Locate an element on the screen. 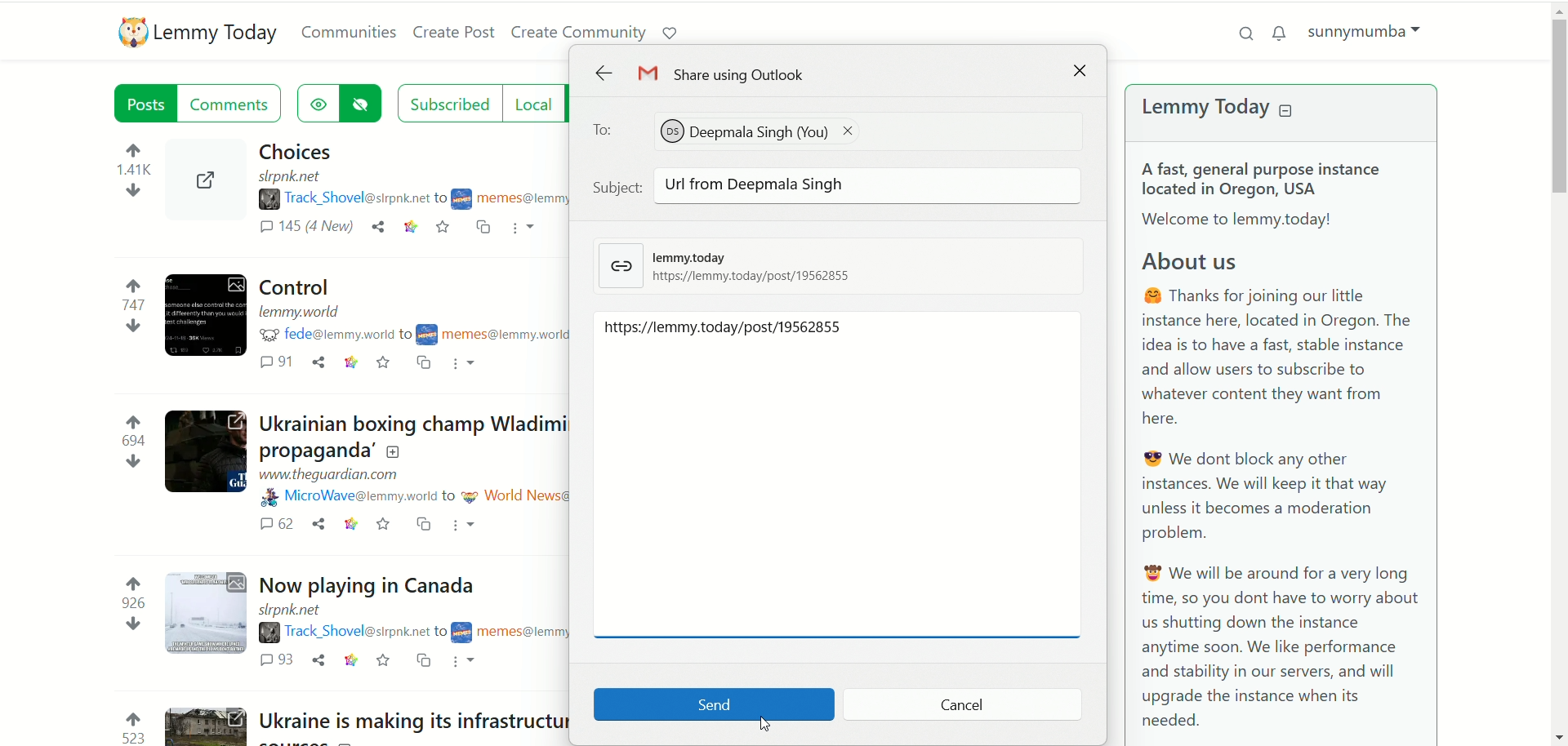 This screenshot has width=1568, height=746. URL is located at coordinates (292, 175).